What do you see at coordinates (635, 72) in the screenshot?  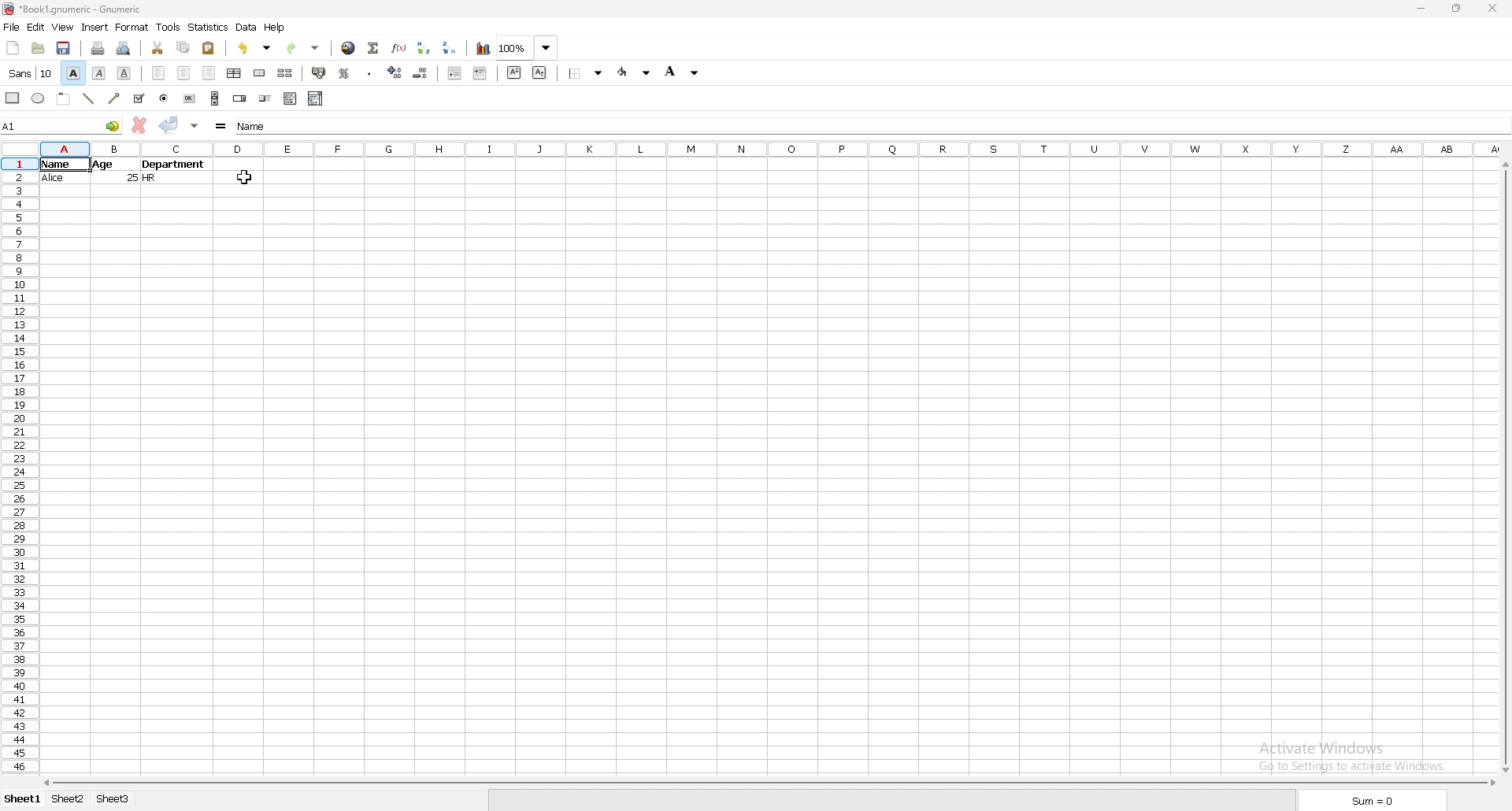 I see `foreground` at bounding box center [635, 72].